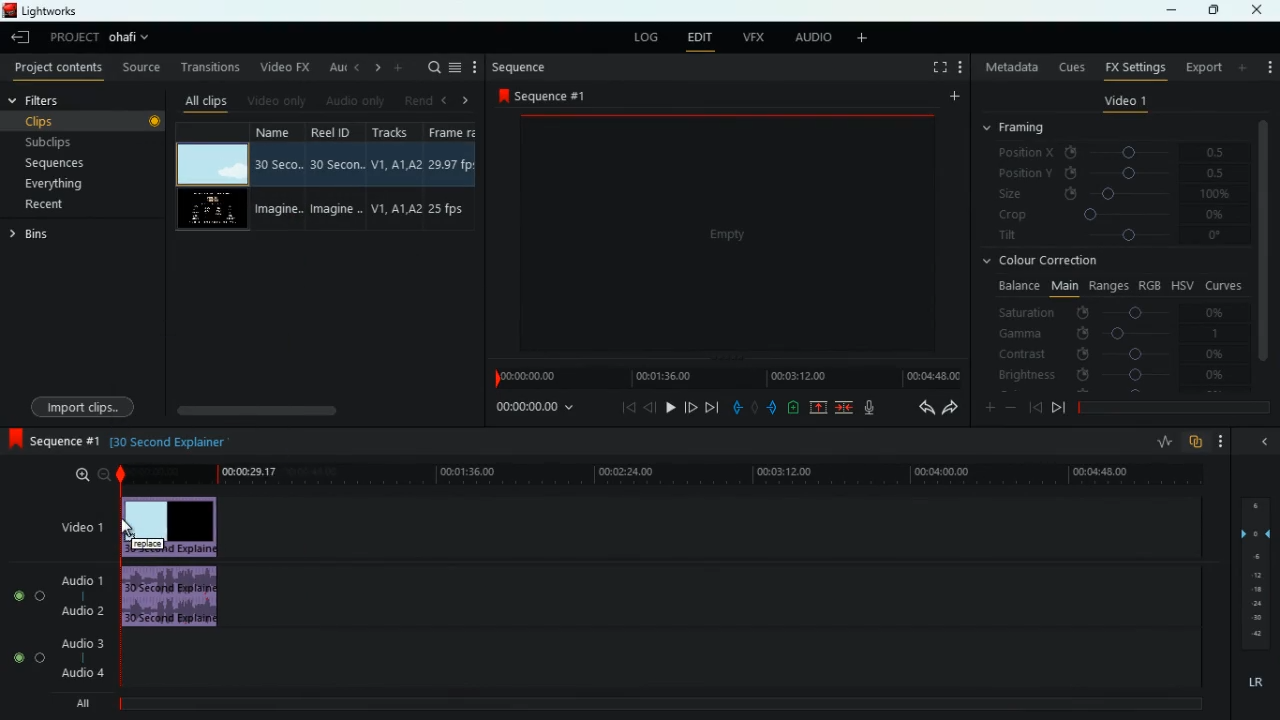  I want to click on full screen, so click(937, 68).